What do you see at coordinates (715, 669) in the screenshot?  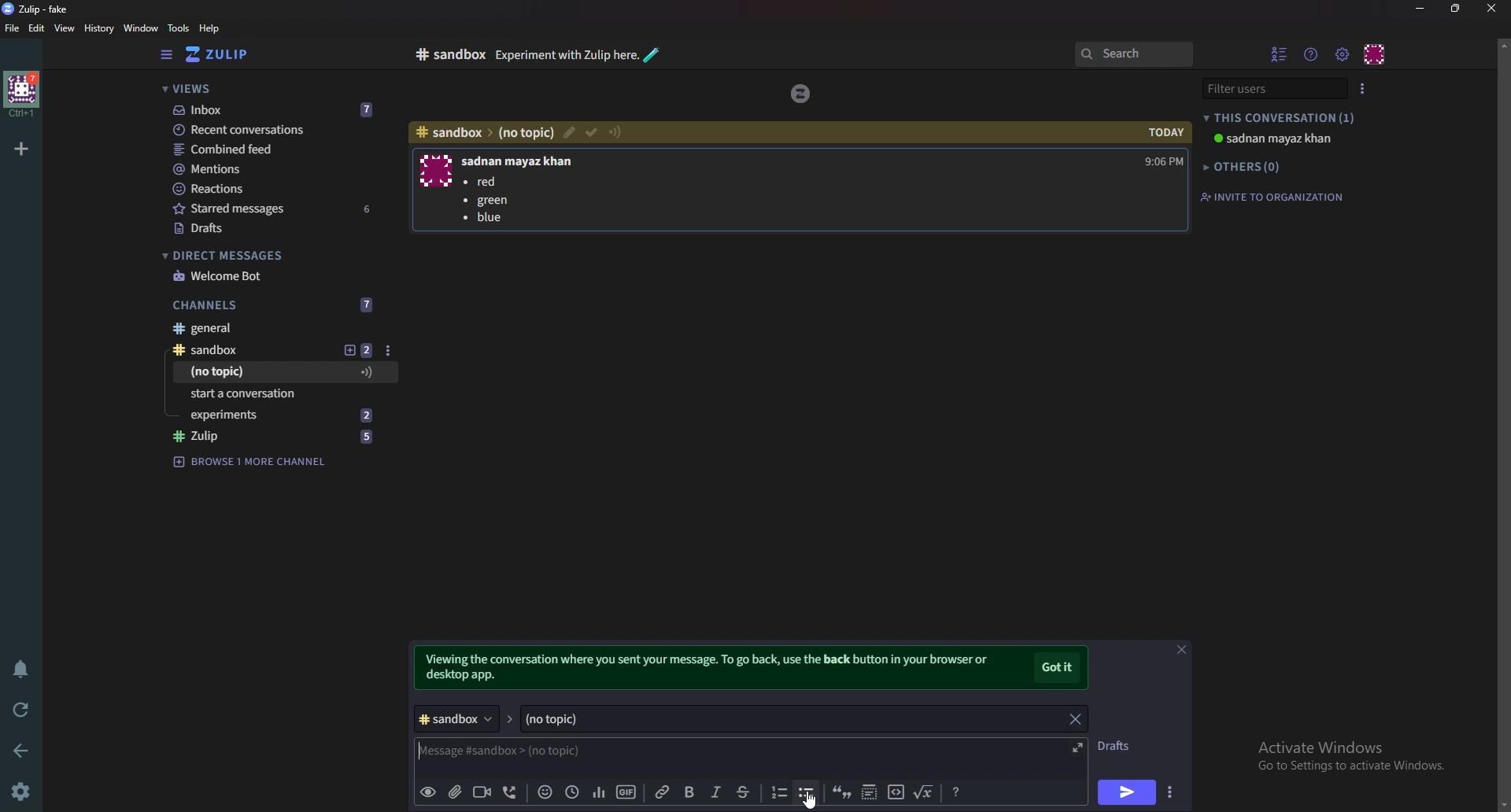 I see `use back button info` at bounding box center [715, 669].